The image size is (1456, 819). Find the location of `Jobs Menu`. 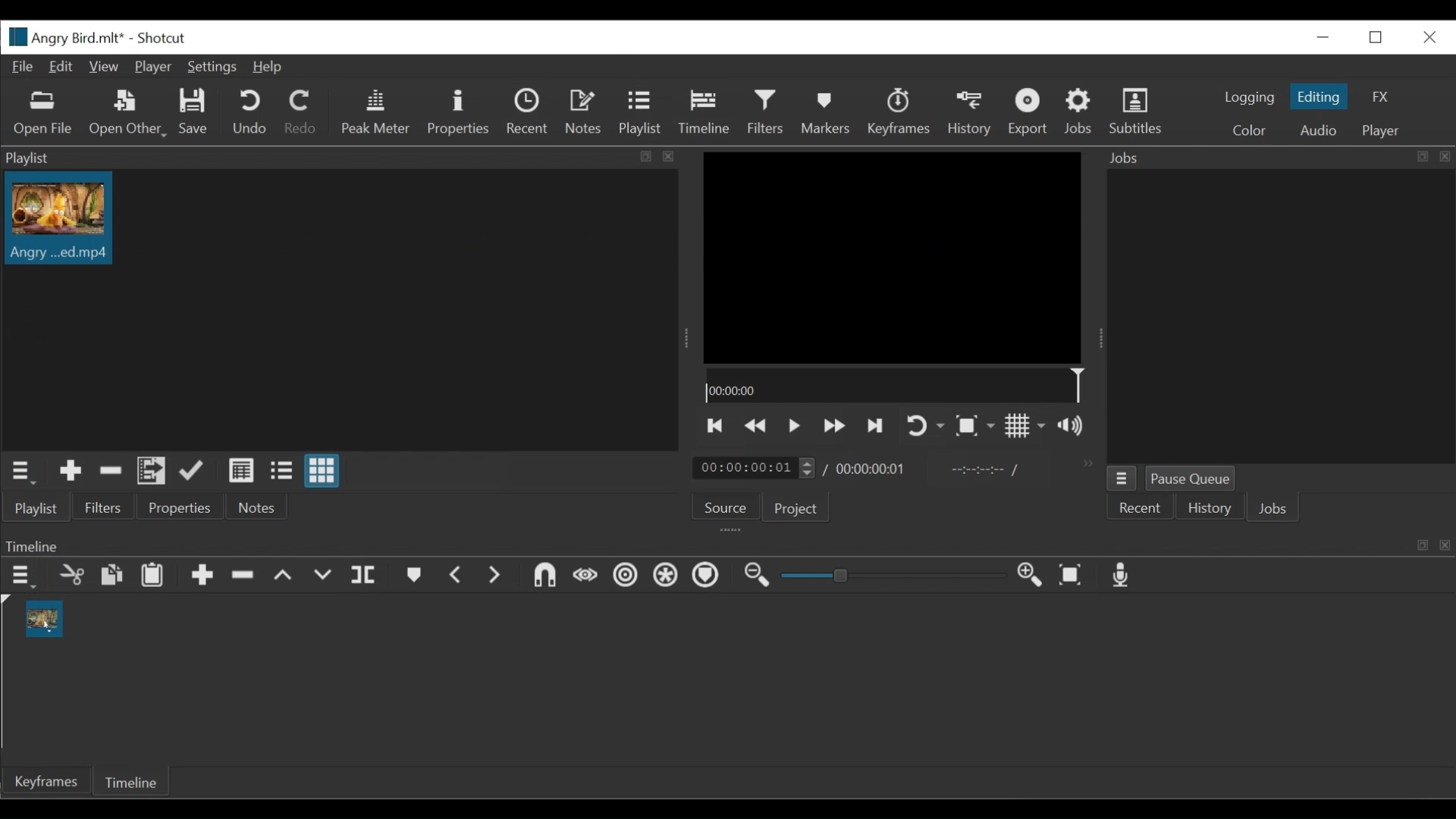

Jobs Menu is located at coordinates (1121, 479).